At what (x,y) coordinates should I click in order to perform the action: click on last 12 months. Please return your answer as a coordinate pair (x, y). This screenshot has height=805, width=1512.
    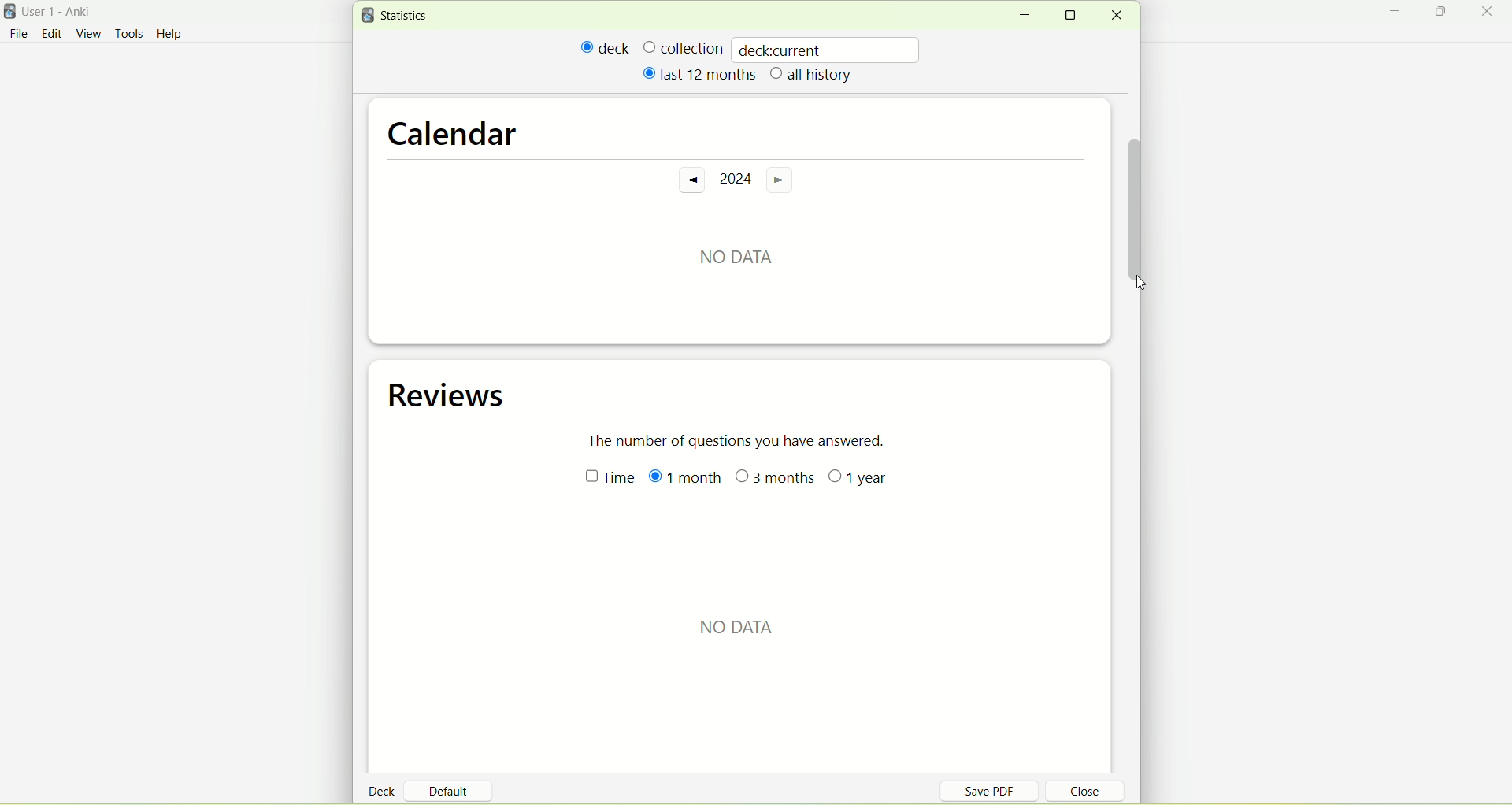
    Looking at the image, I should click on (698, 73).